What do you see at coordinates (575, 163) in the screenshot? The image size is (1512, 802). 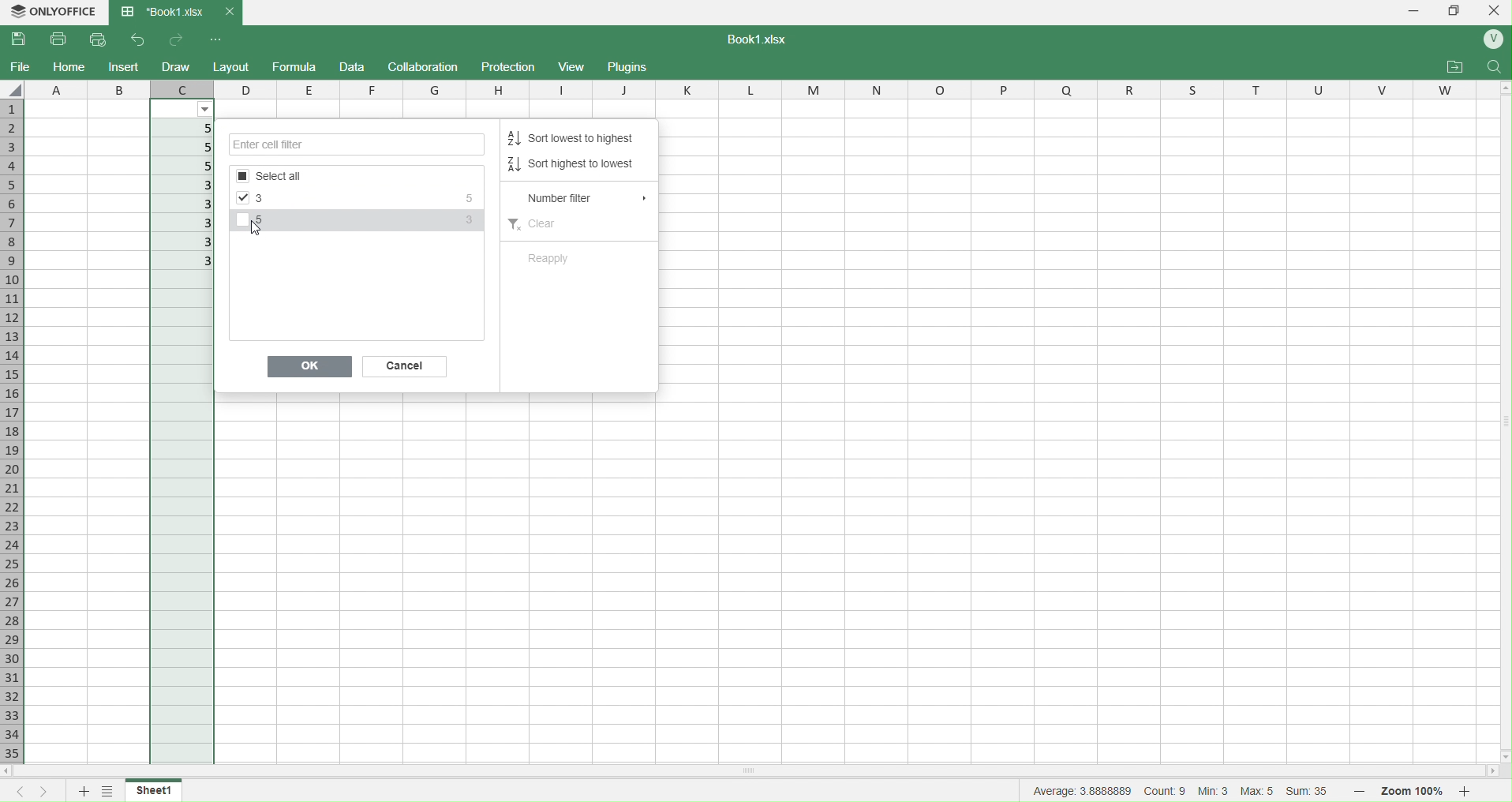 I see `Sort highest to lowest` at bounding box center [575, 163].